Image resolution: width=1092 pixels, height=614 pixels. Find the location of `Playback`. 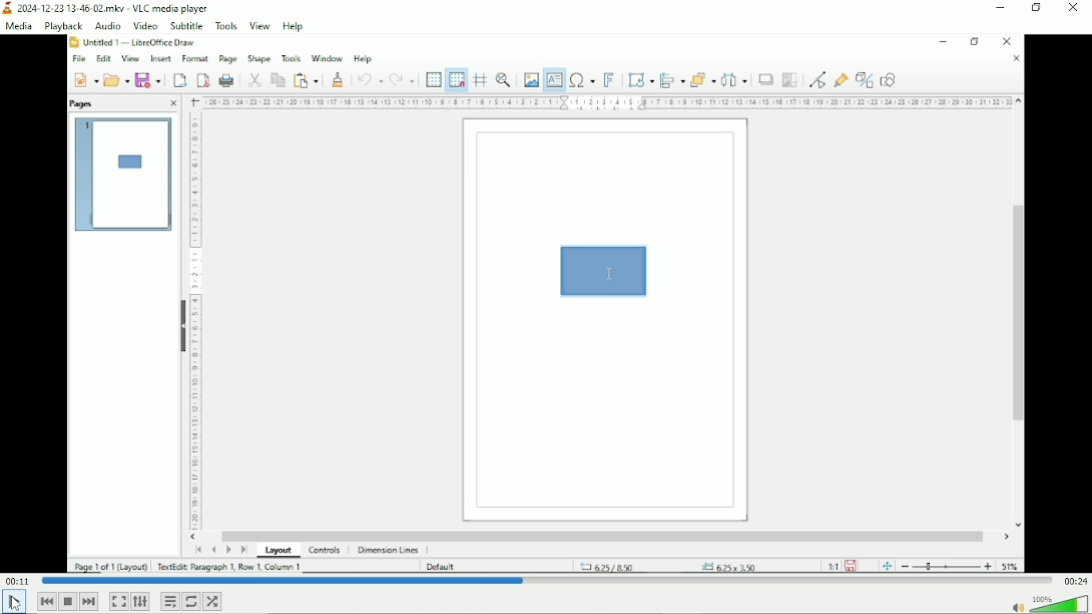

Playback is located at coordinates (62, 26).